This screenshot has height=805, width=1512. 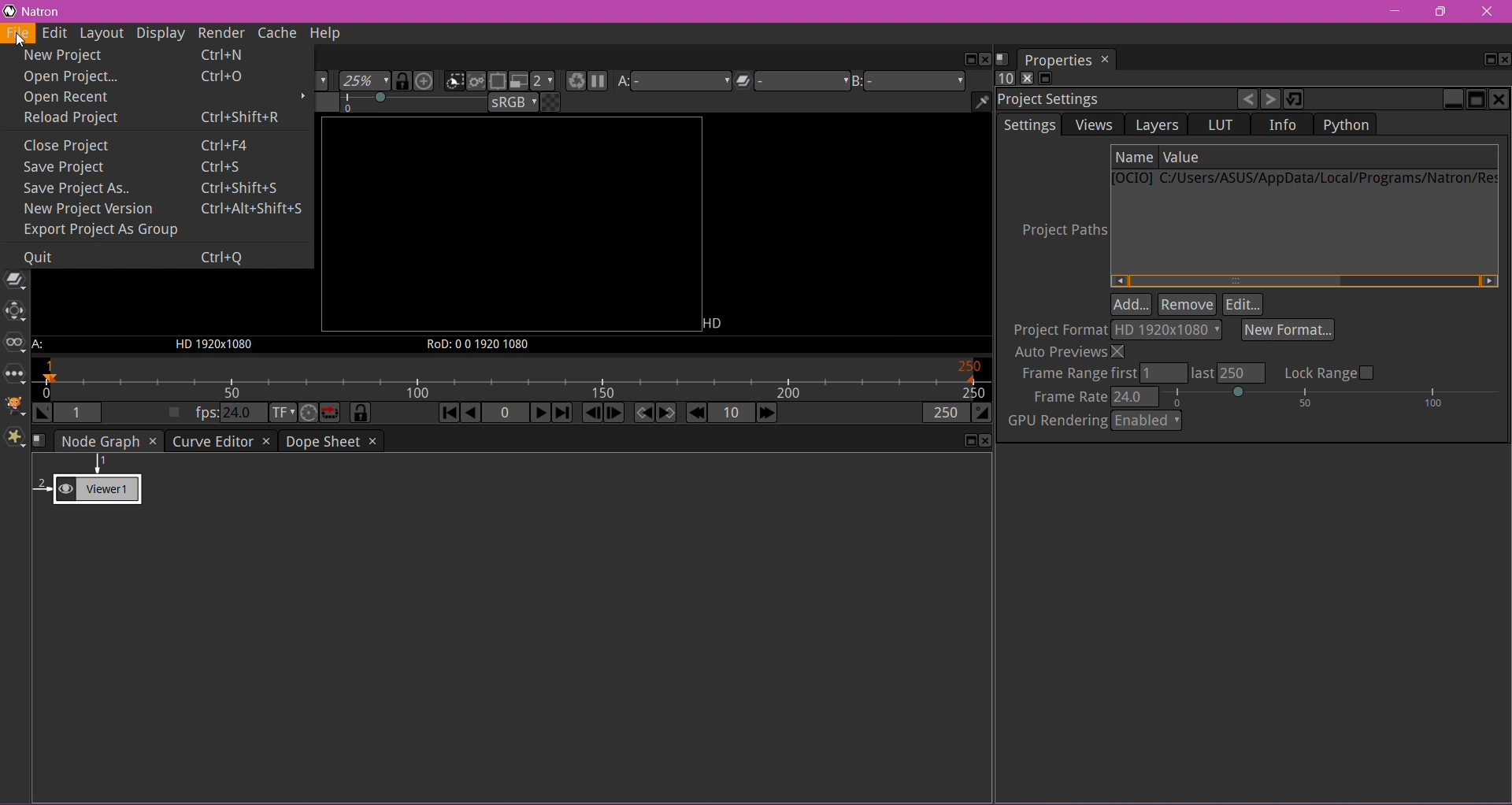 What do you see at coordinates (1053, 100) in the screenshot?
I see `Project Settings` at bounding box center [1053, 100].